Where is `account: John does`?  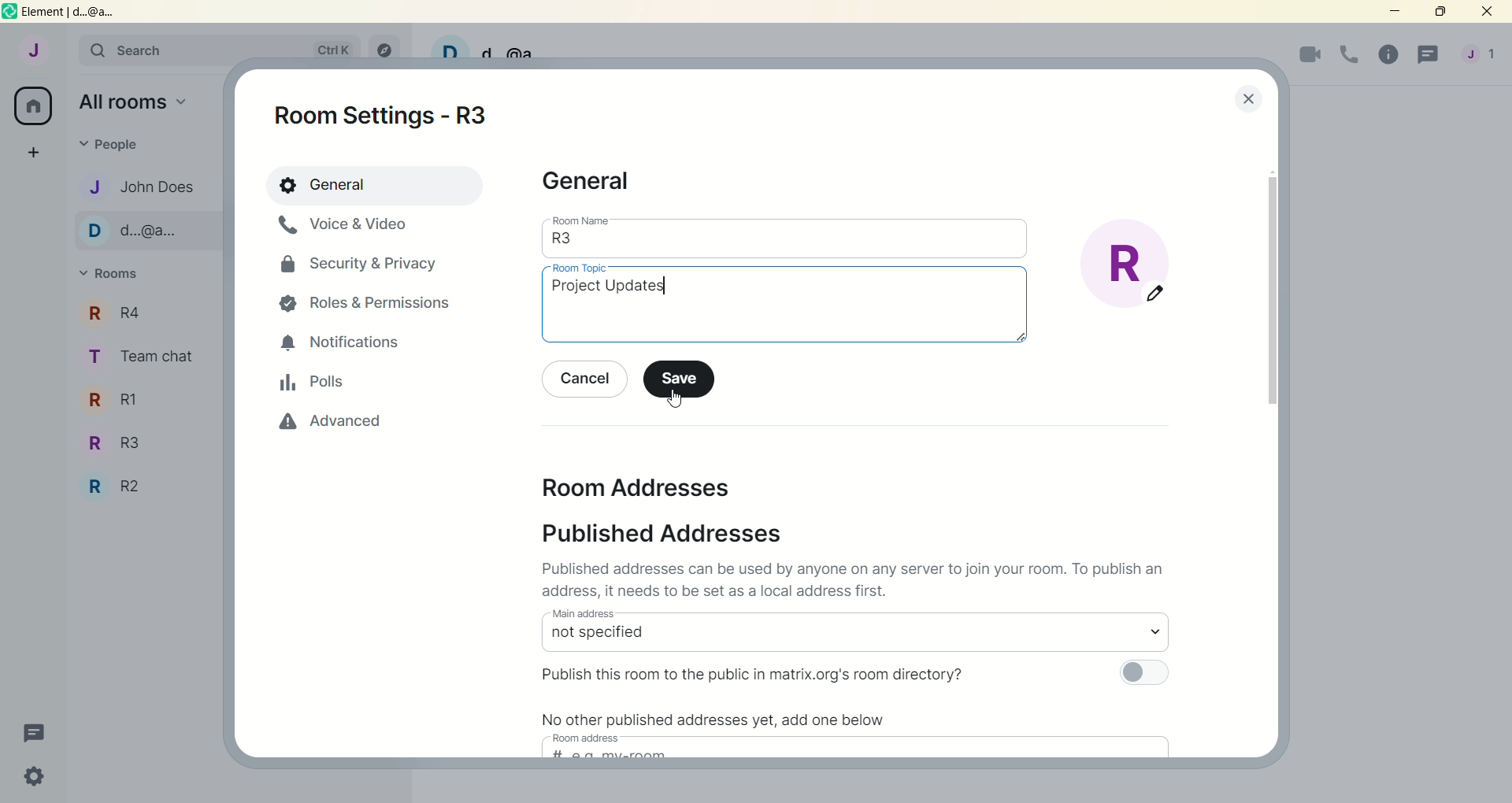 account: John does is located at coordinates (35, 54).